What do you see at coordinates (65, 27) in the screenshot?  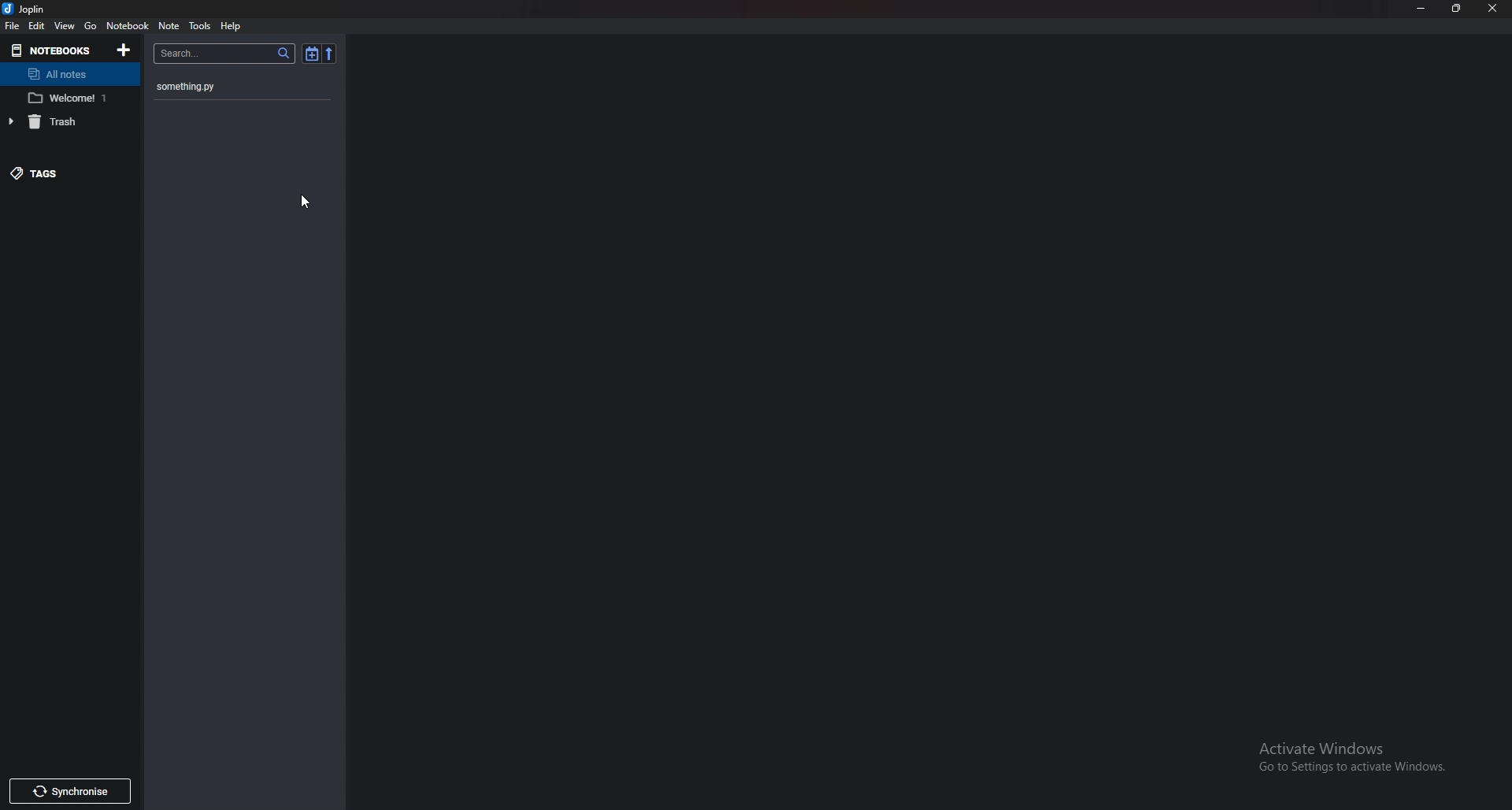 I see `view` at bounding box center [65, 27].